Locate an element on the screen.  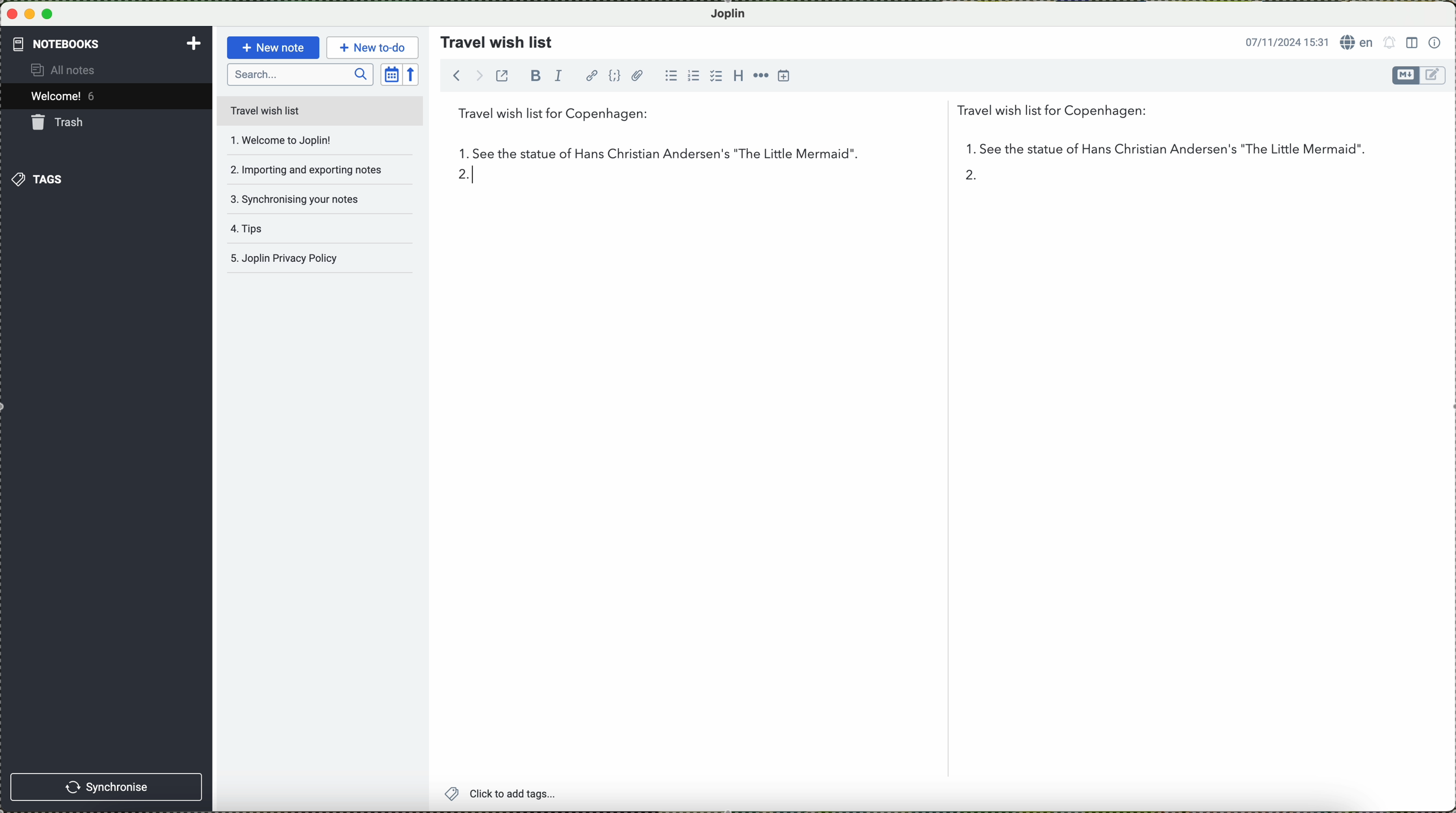
toggle sort order field is located at coordinates (391, 73).